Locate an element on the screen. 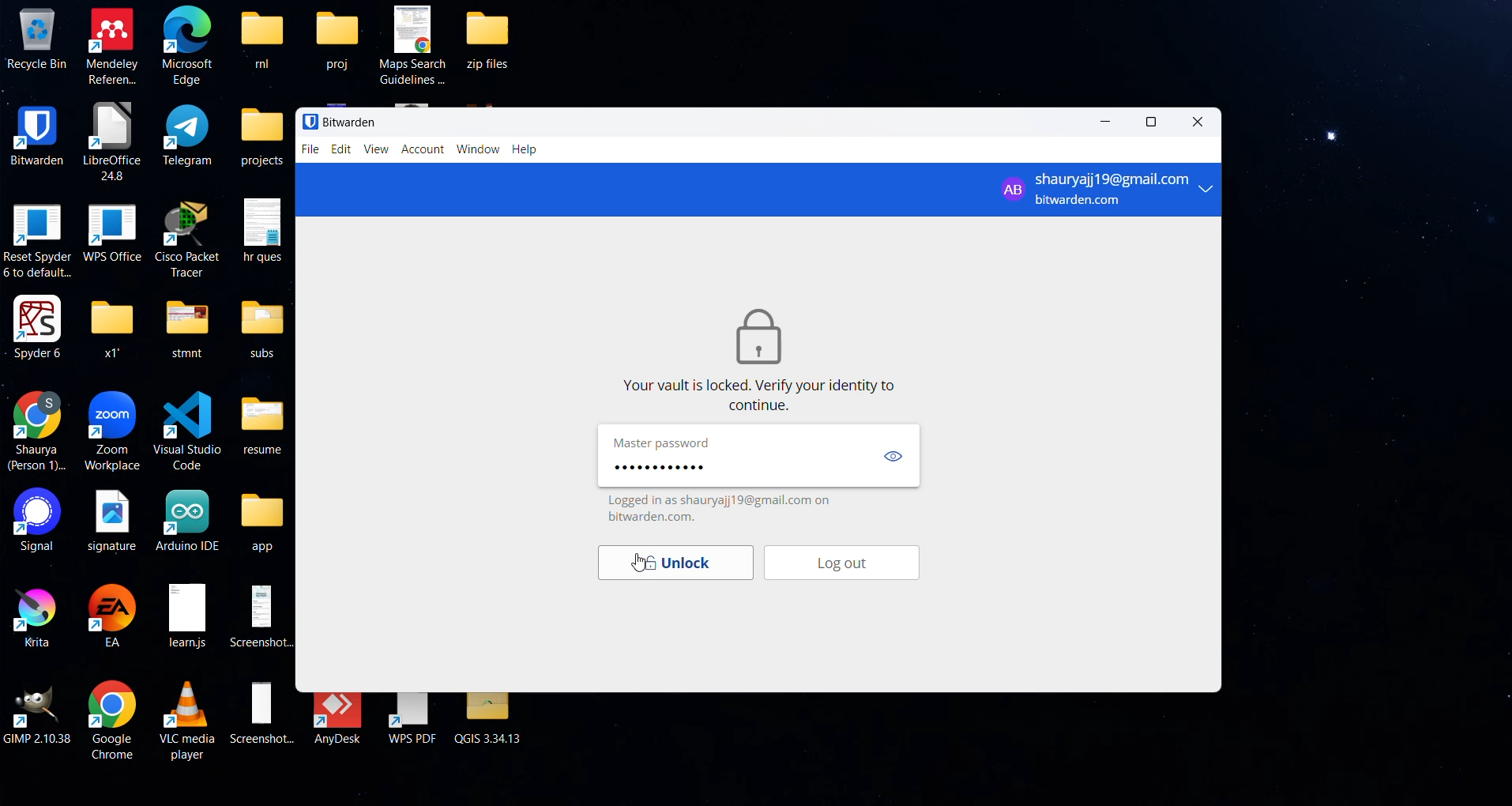  signature is located at coordinates (111, 520).